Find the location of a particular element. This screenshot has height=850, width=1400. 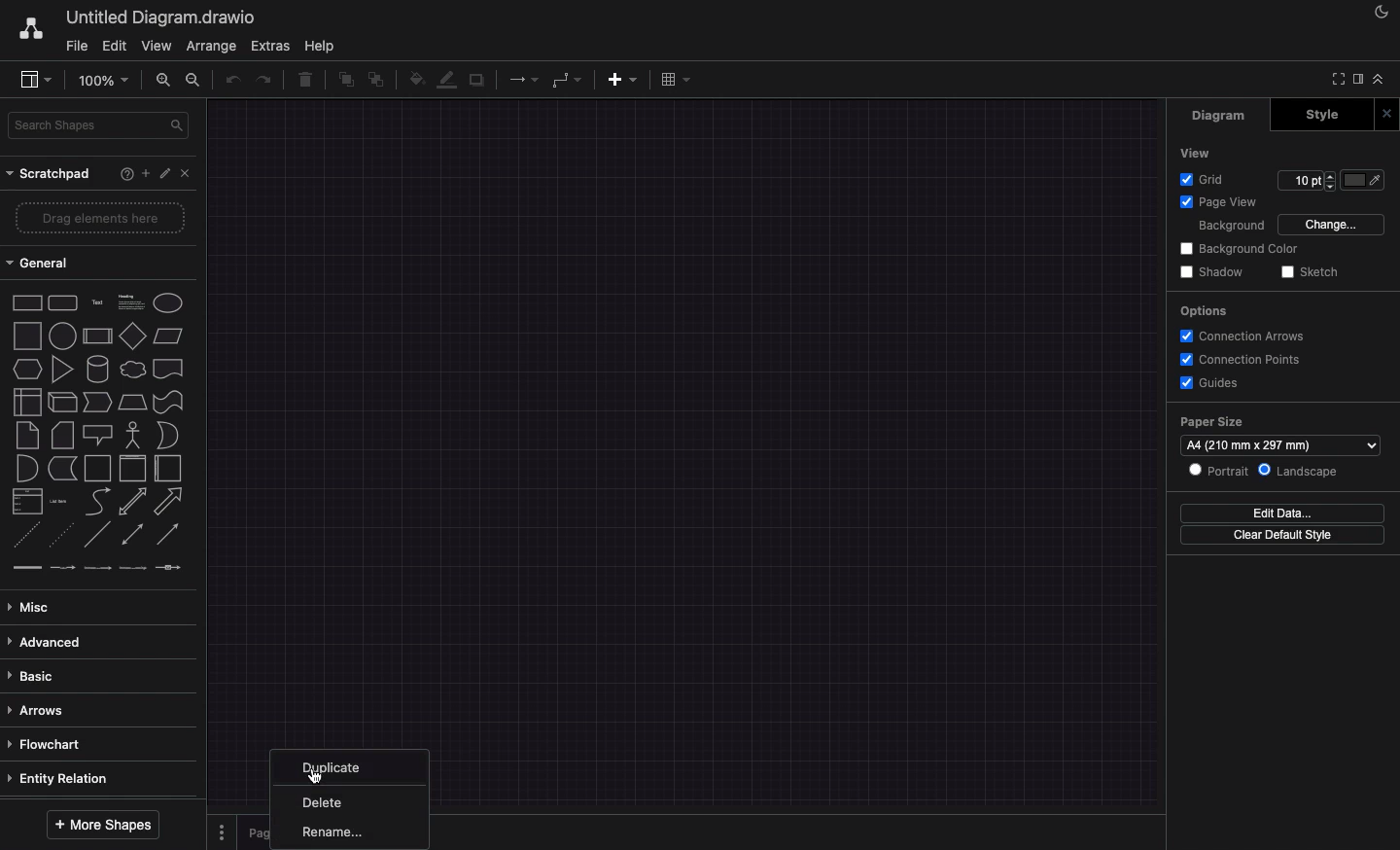

hexagon is located at coordinates (28, 370).